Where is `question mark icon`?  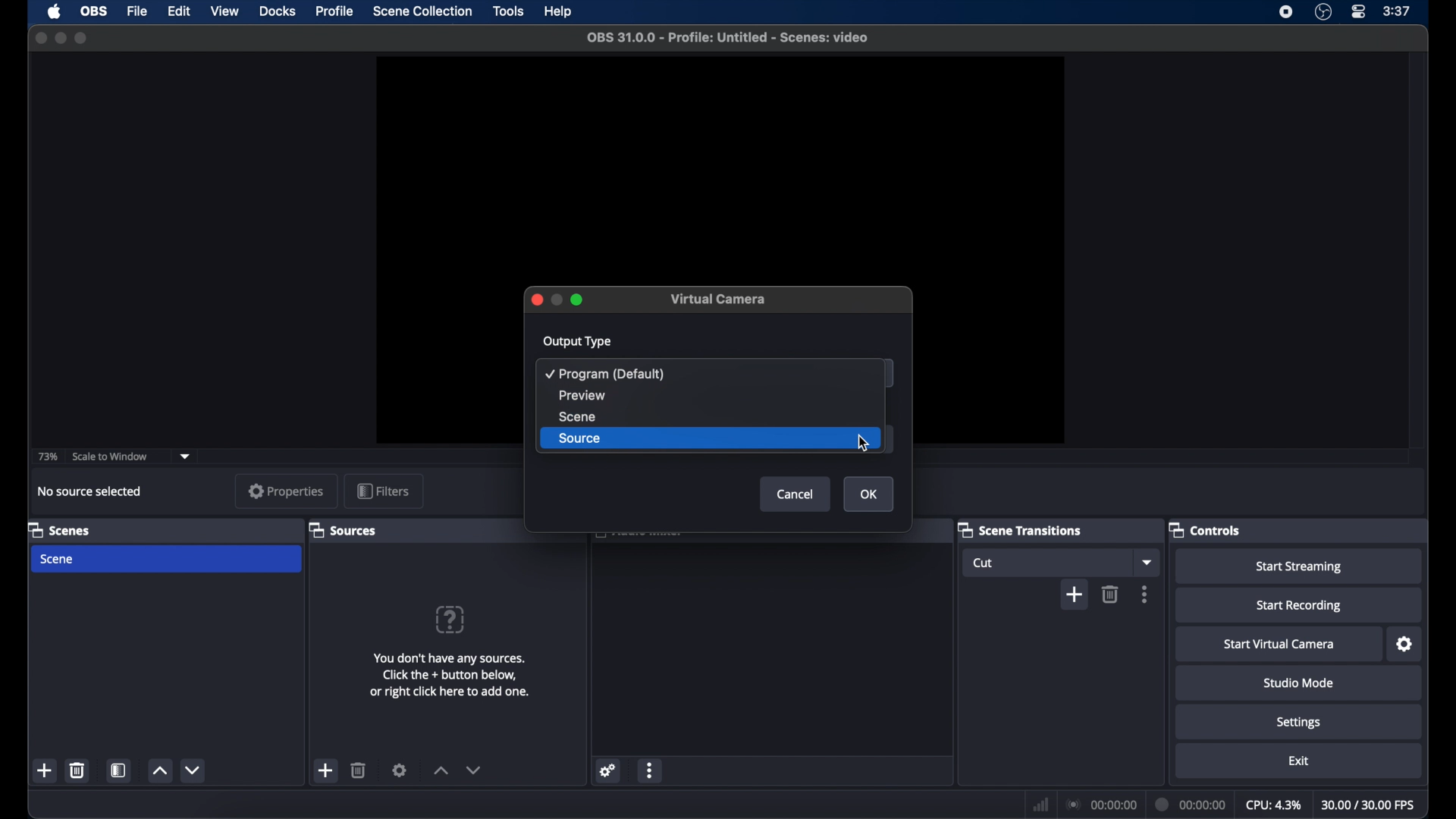
question mark icon is located at coordinates (450, 620).